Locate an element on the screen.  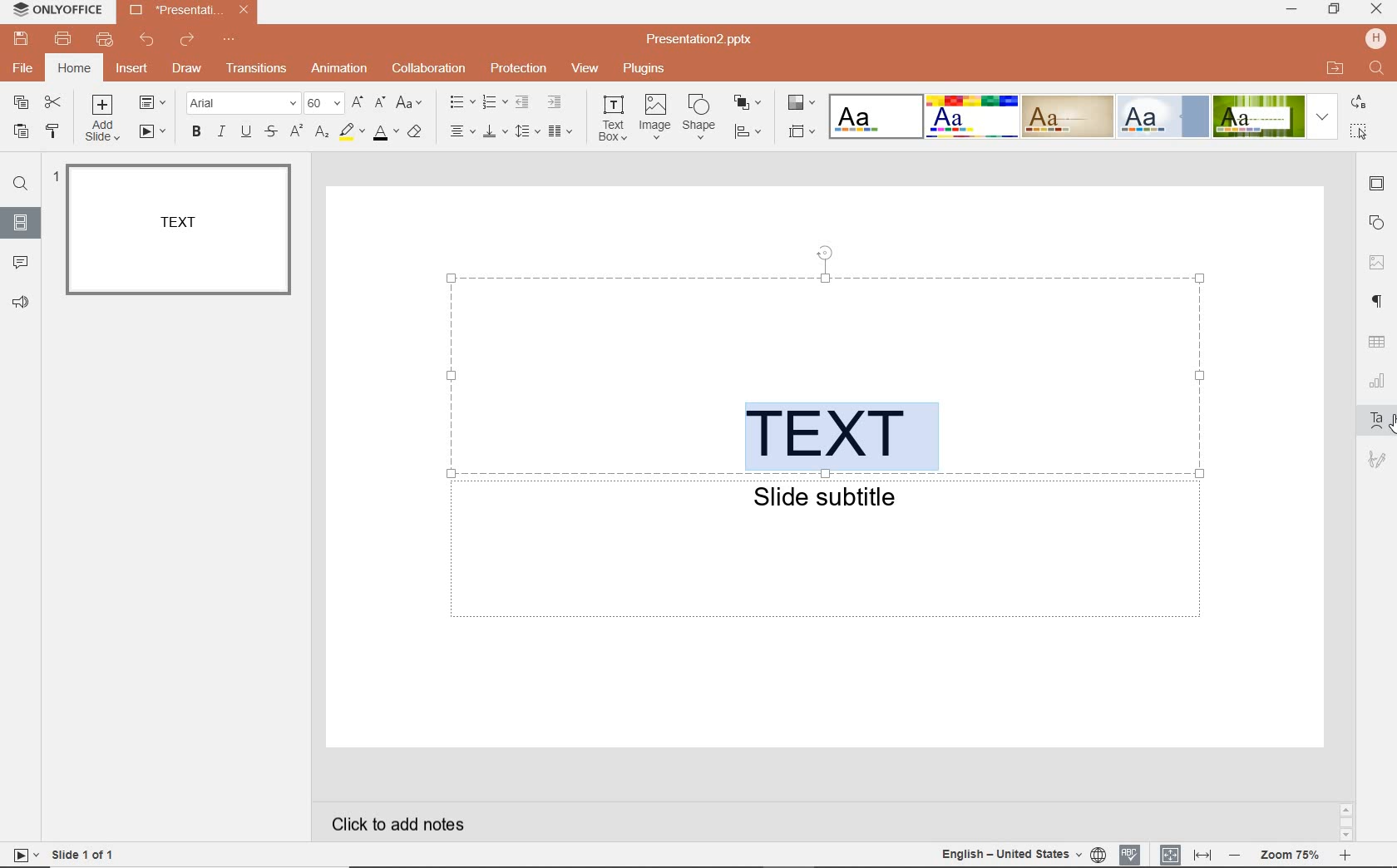
close is located at coordinates (1377, 10).